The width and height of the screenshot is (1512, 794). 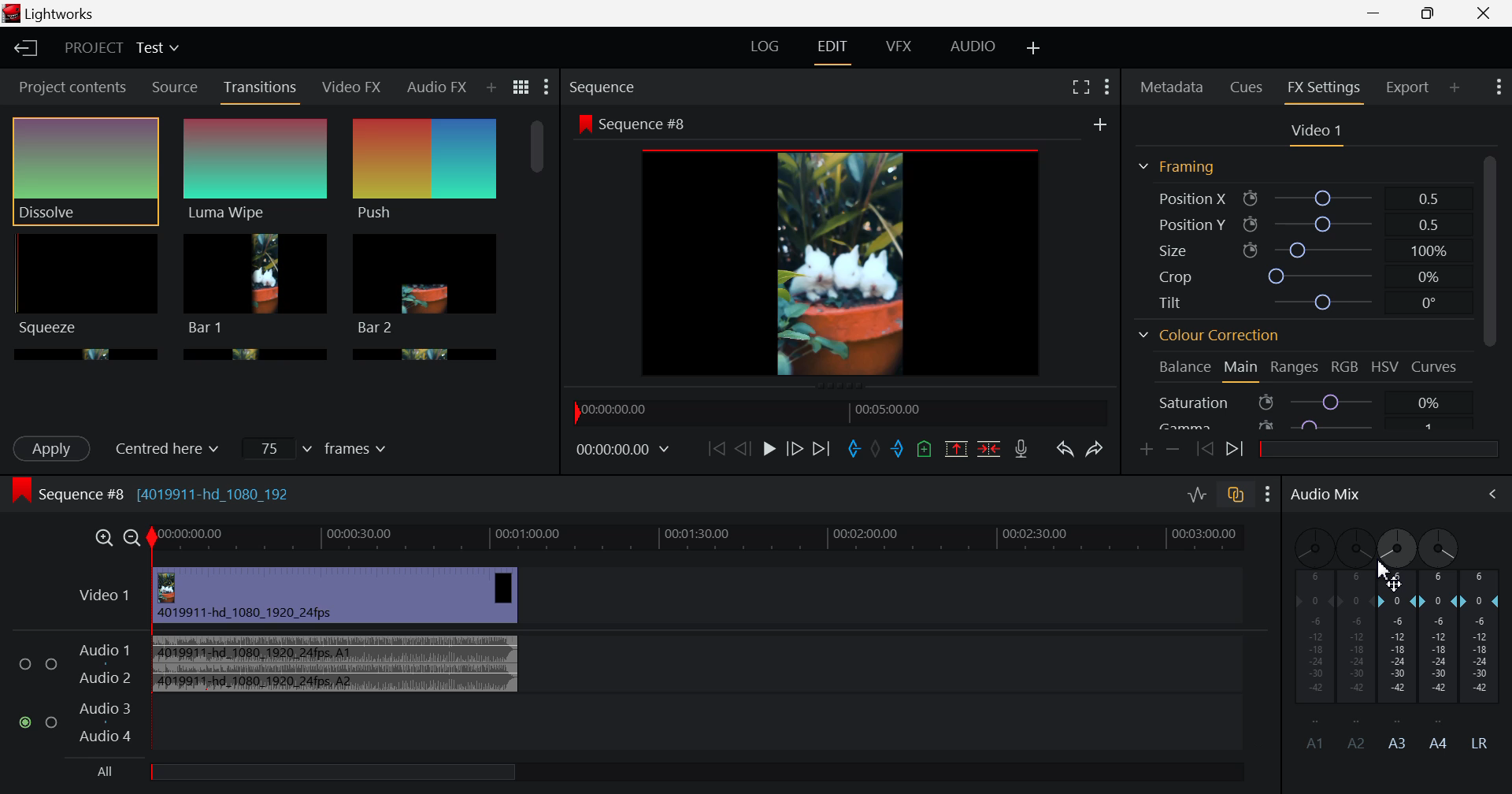 What do you see at coordinates (1385, 369) in the screenshot?
I see `HSV` at bounding box center [1385, 369].